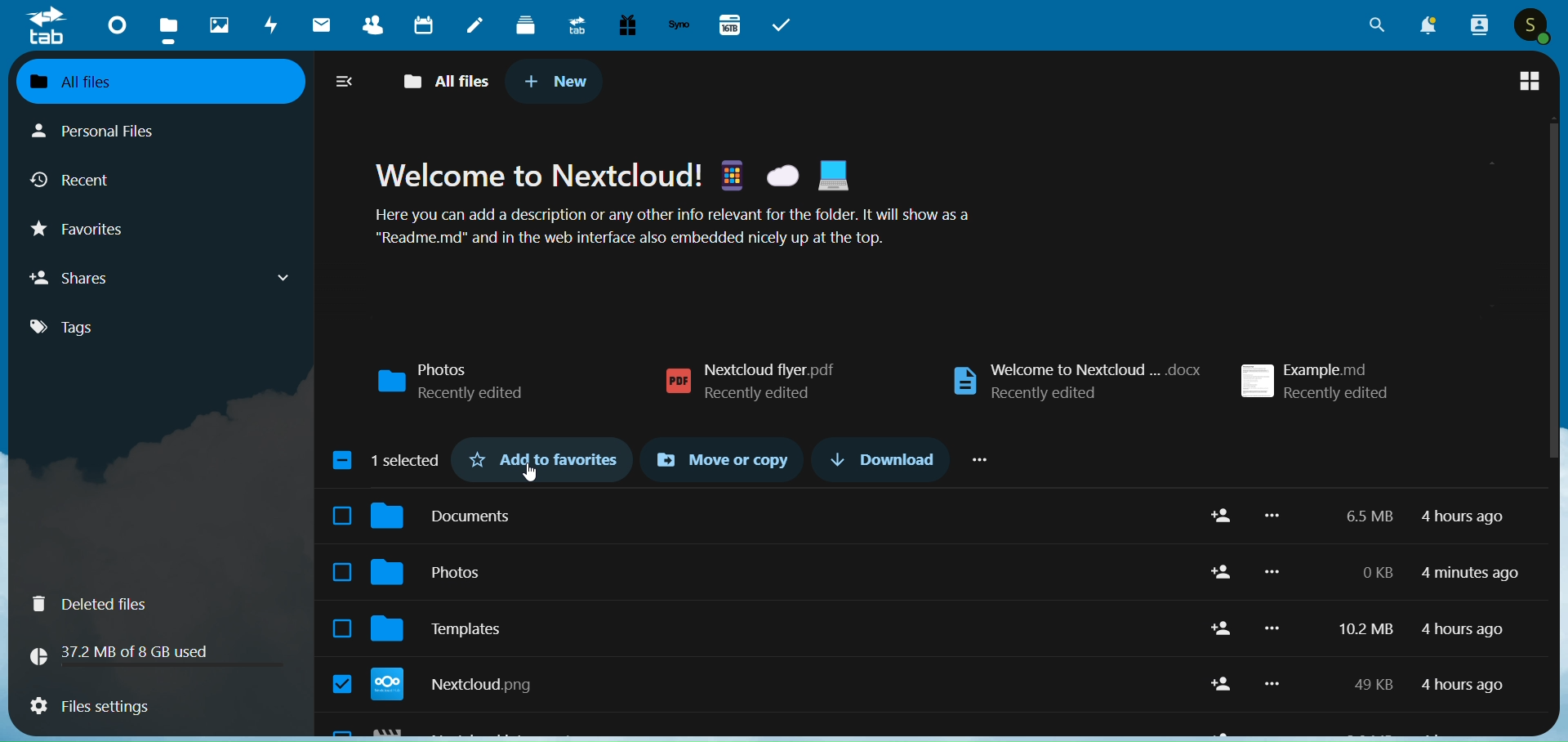  I want to click on favorites, so click(83, 230).